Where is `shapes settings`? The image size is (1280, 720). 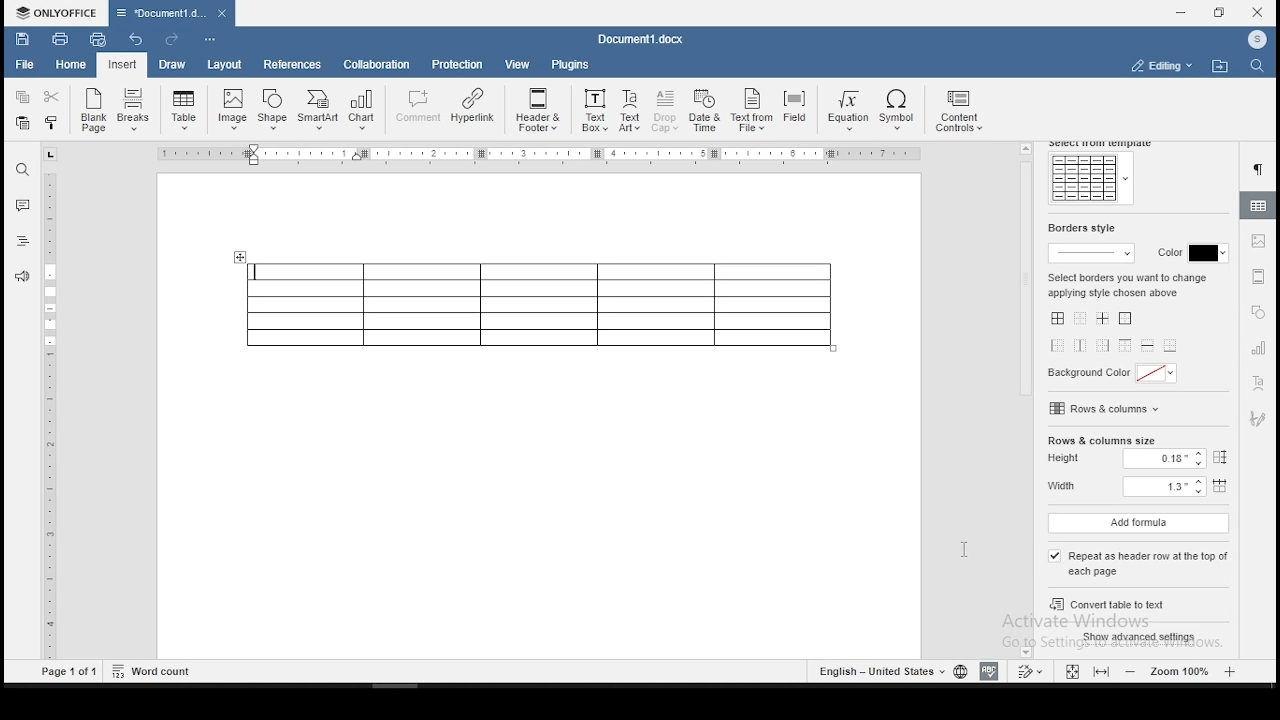 shapes settings is located at coordinates (1257, 312).